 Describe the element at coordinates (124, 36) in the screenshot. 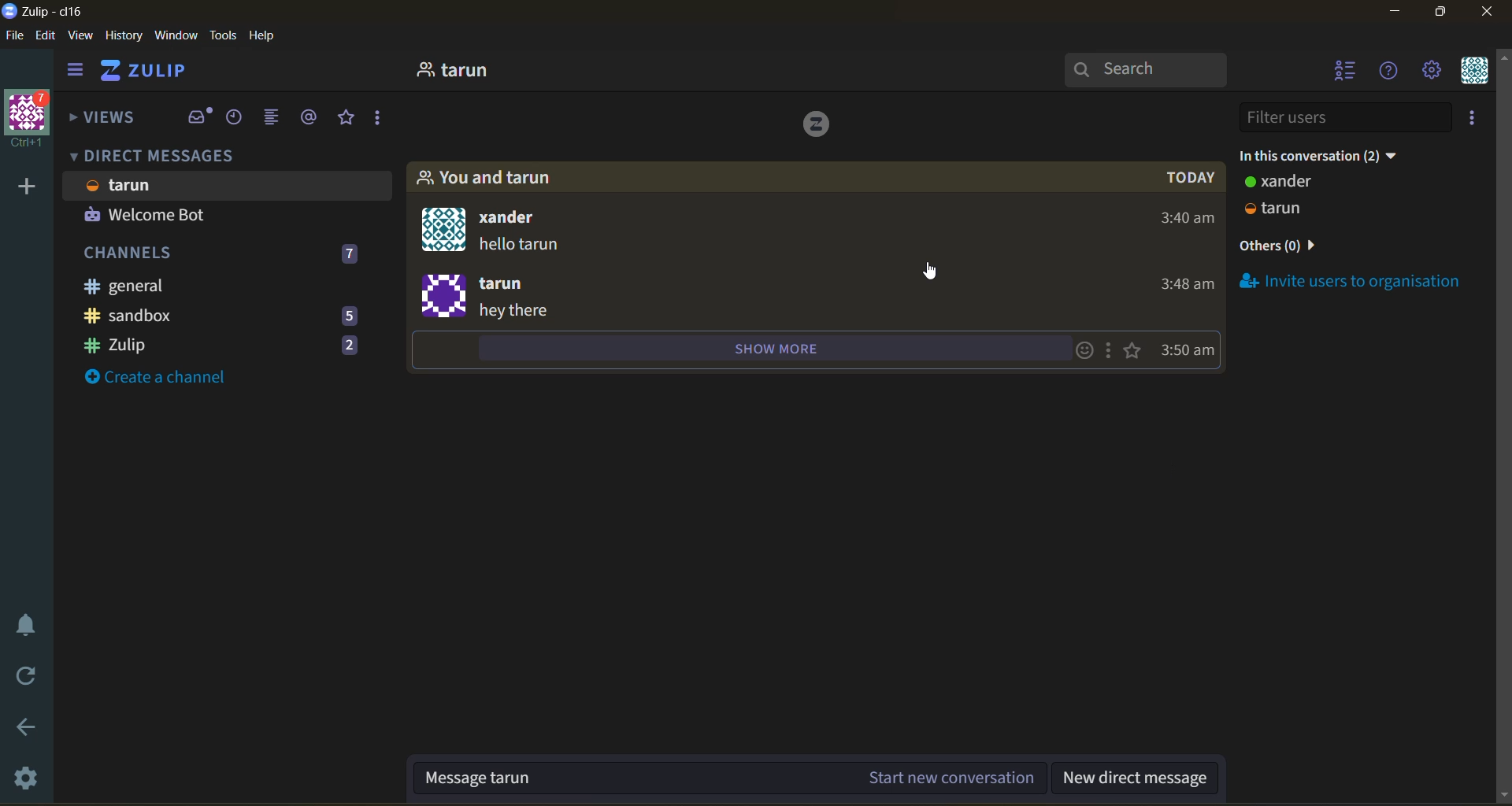

I see `history` at that location.